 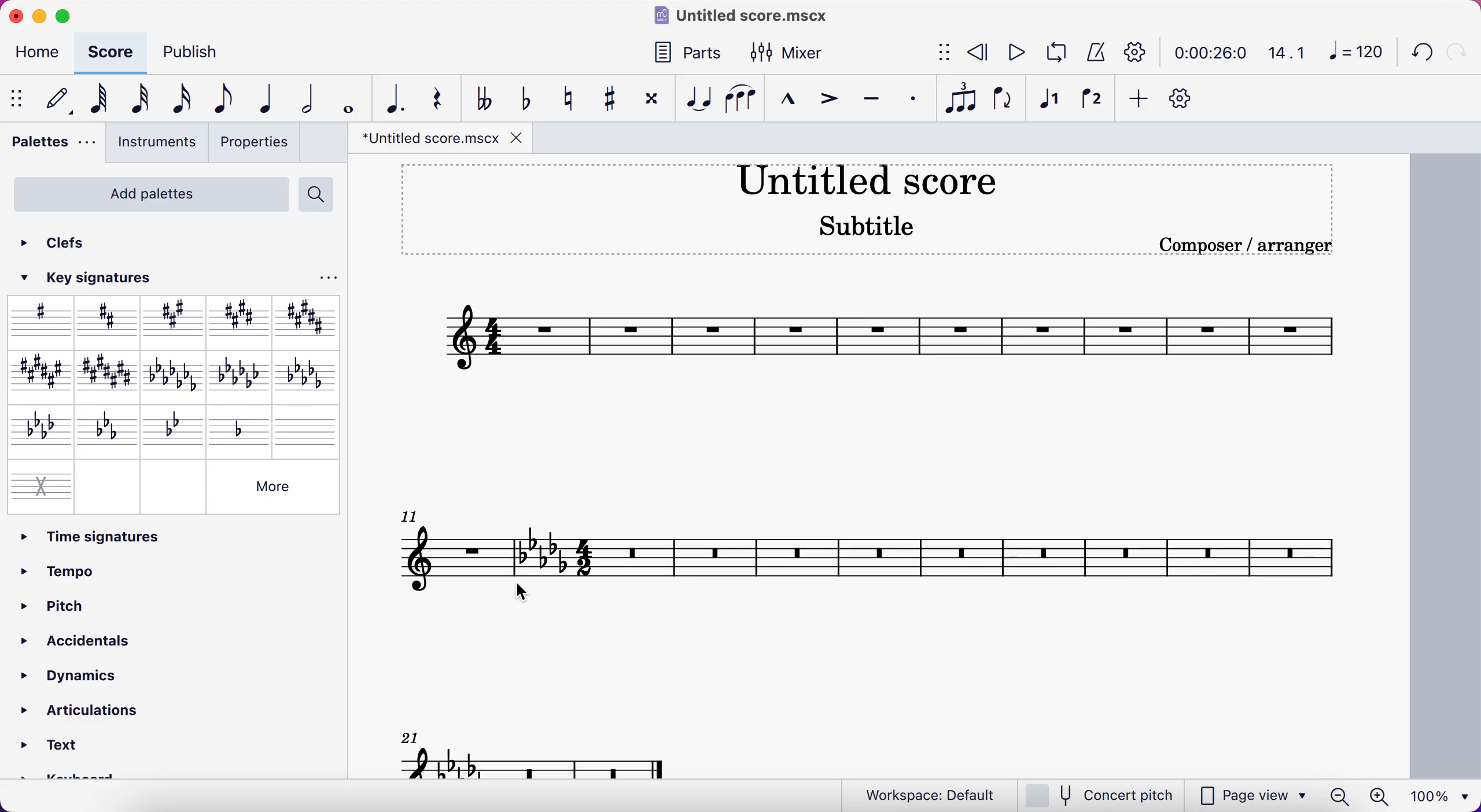 What do you see at coordinates (488, 97) in the screenshot?
I see `toggle double flat` at bounding box center [488, 97].